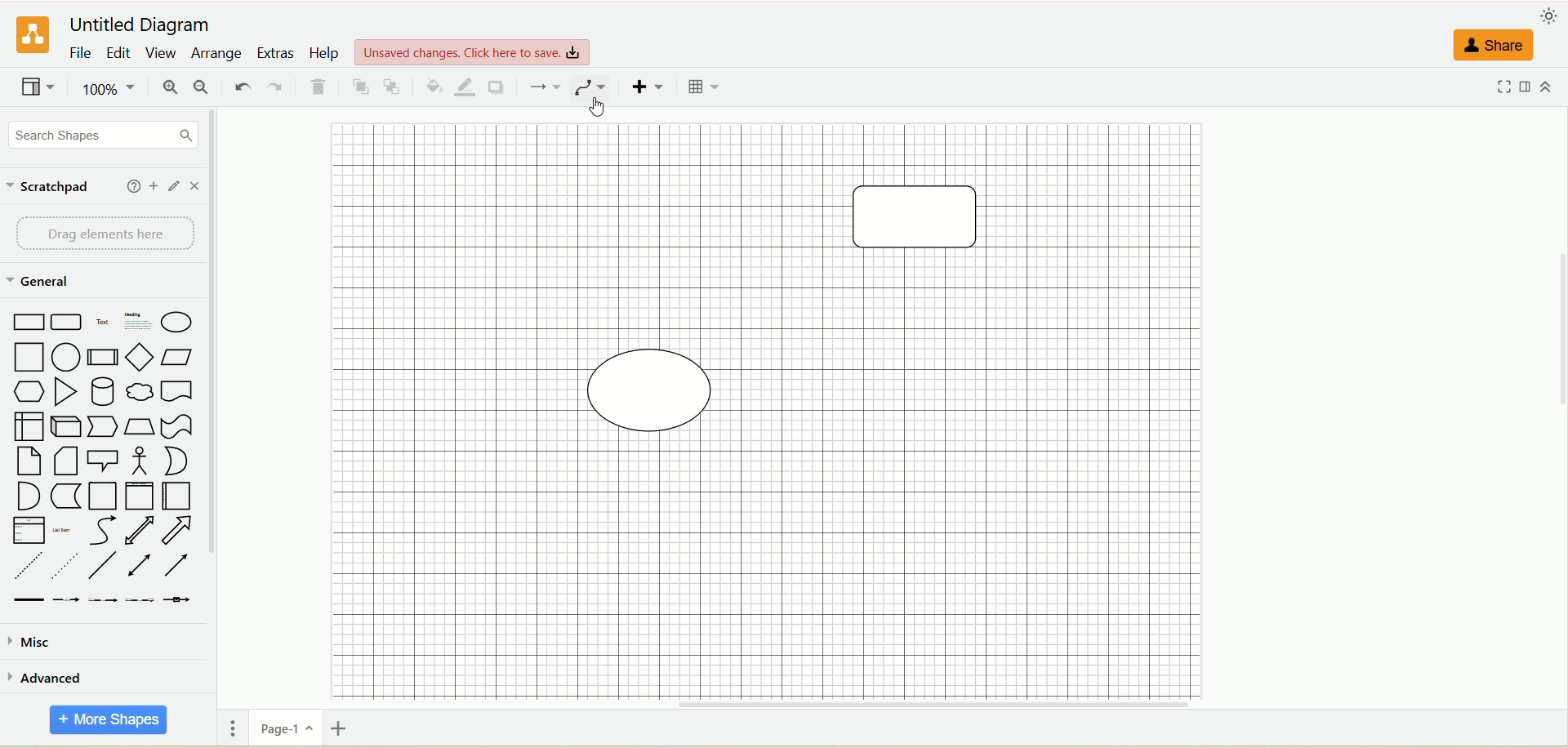  I want to click on title, so click(145, 24).